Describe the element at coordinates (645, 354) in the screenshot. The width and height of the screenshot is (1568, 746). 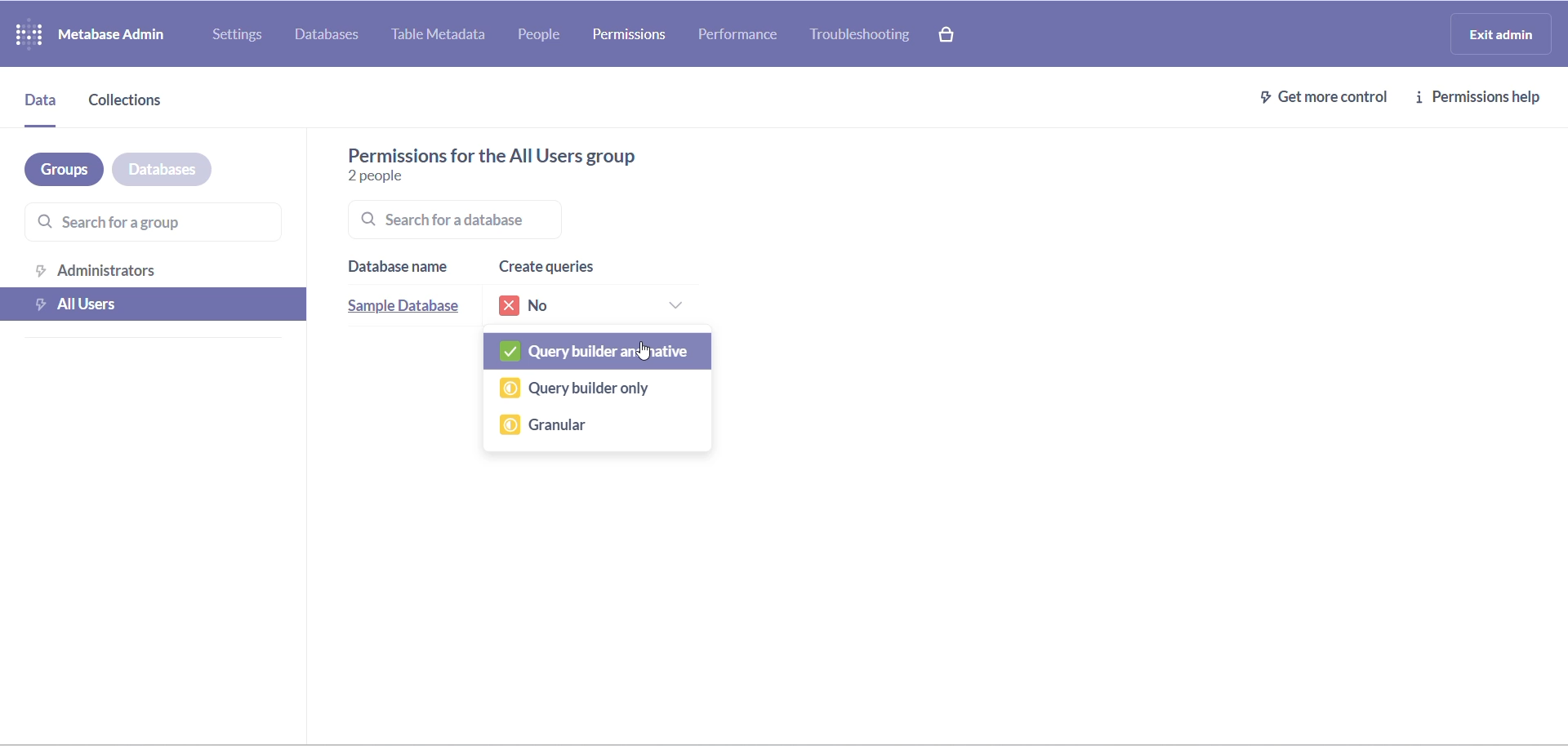
I see `cursor` at that location.